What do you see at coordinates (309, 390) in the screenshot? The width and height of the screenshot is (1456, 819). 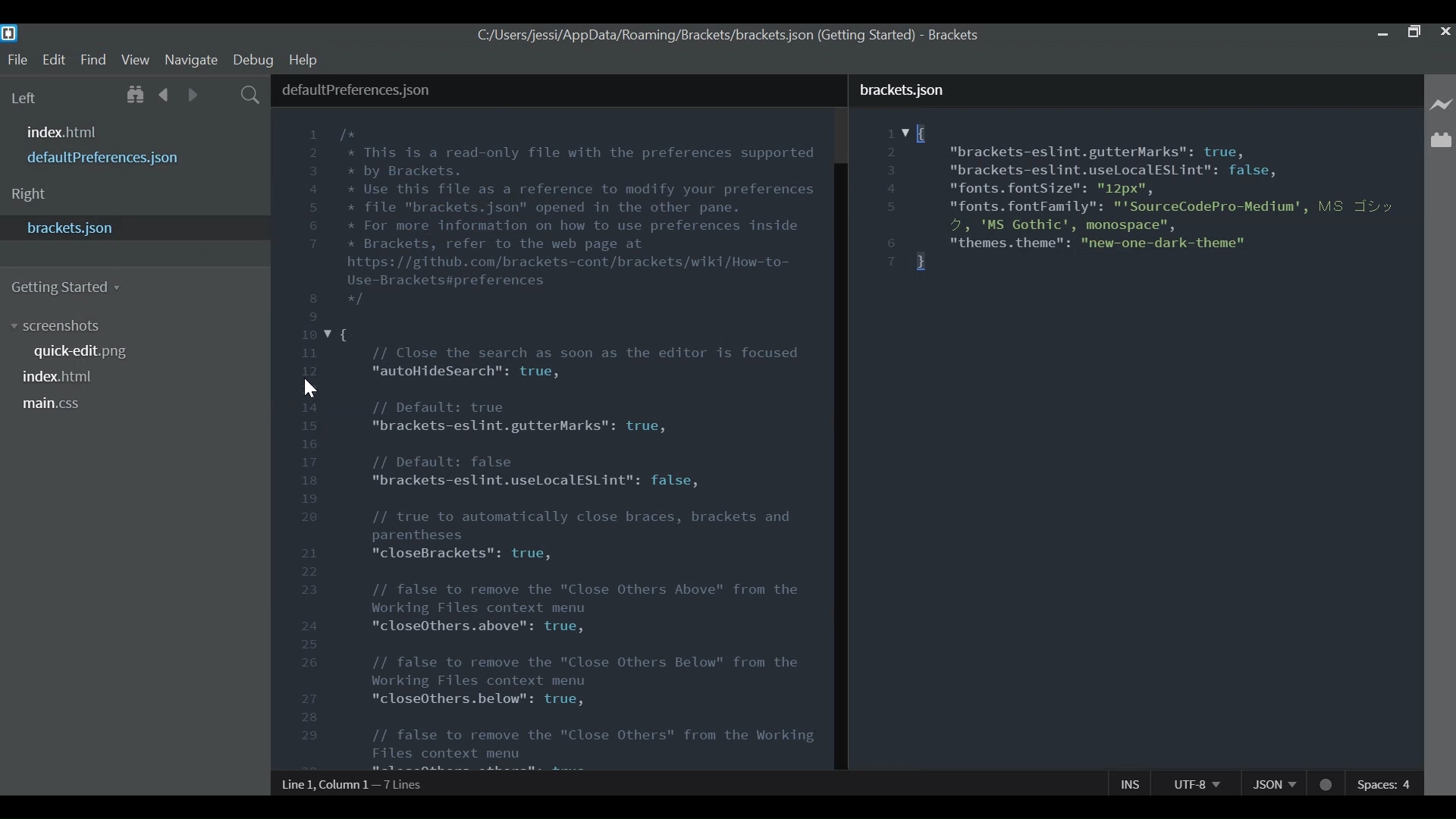 I see `Cursor` at bounding box center [309, 390].